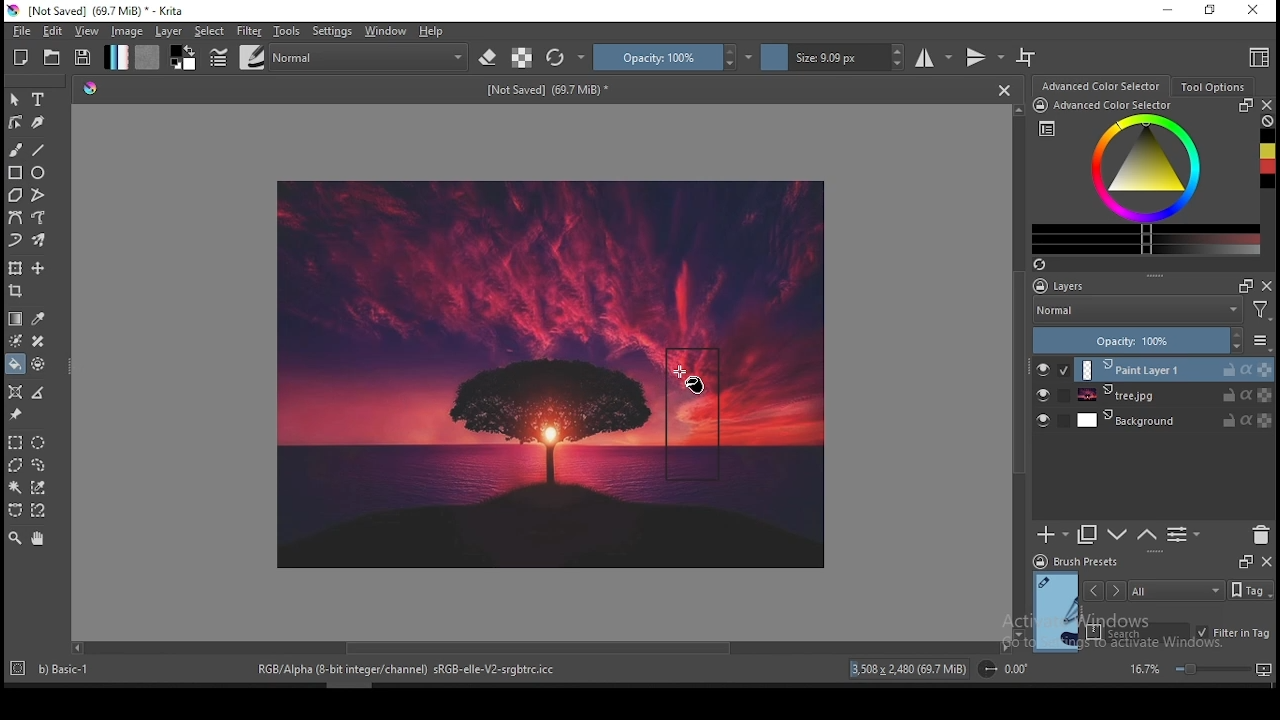 Image resolution: width=1280 pixels, height=720 pixels. What do you see at coordinates (169, 32) in the screenshot?
I see `layer` at bounding box center [169, 32].